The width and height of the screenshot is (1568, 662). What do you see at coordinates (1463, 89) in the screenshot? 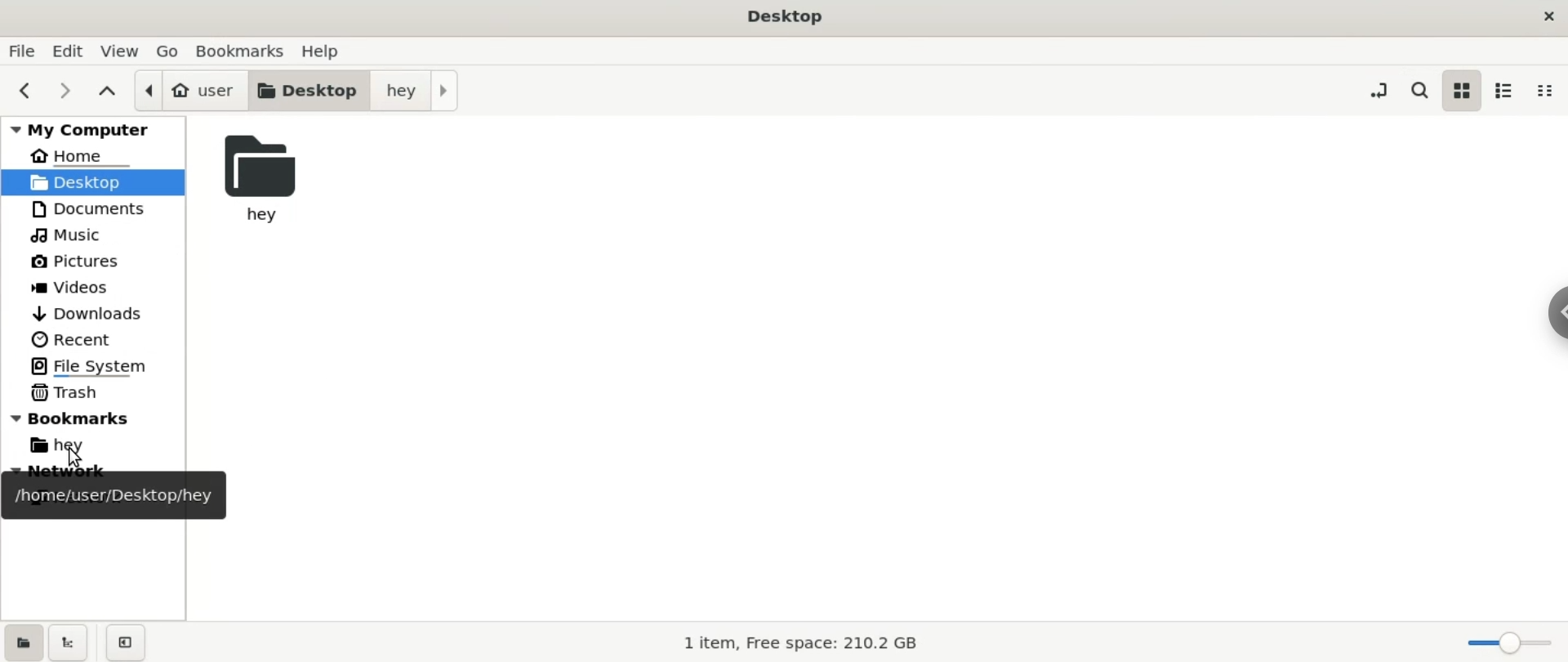
I see `icon view` at bounding box center [1463, 89].